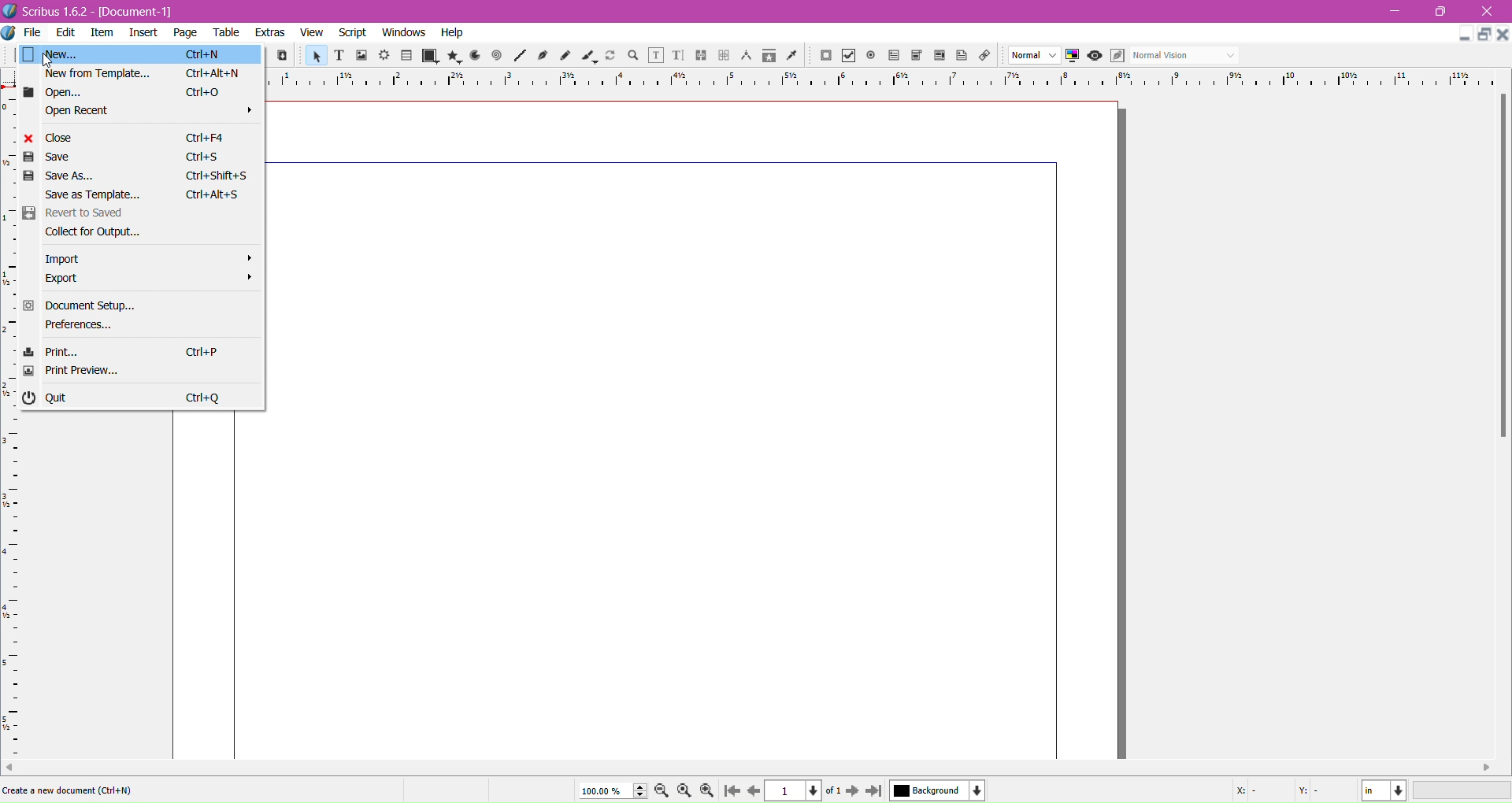  What do you see at coordinates (9, 34) in the screenshot?
I see `scribus logo` at bounding box center [9, 34].